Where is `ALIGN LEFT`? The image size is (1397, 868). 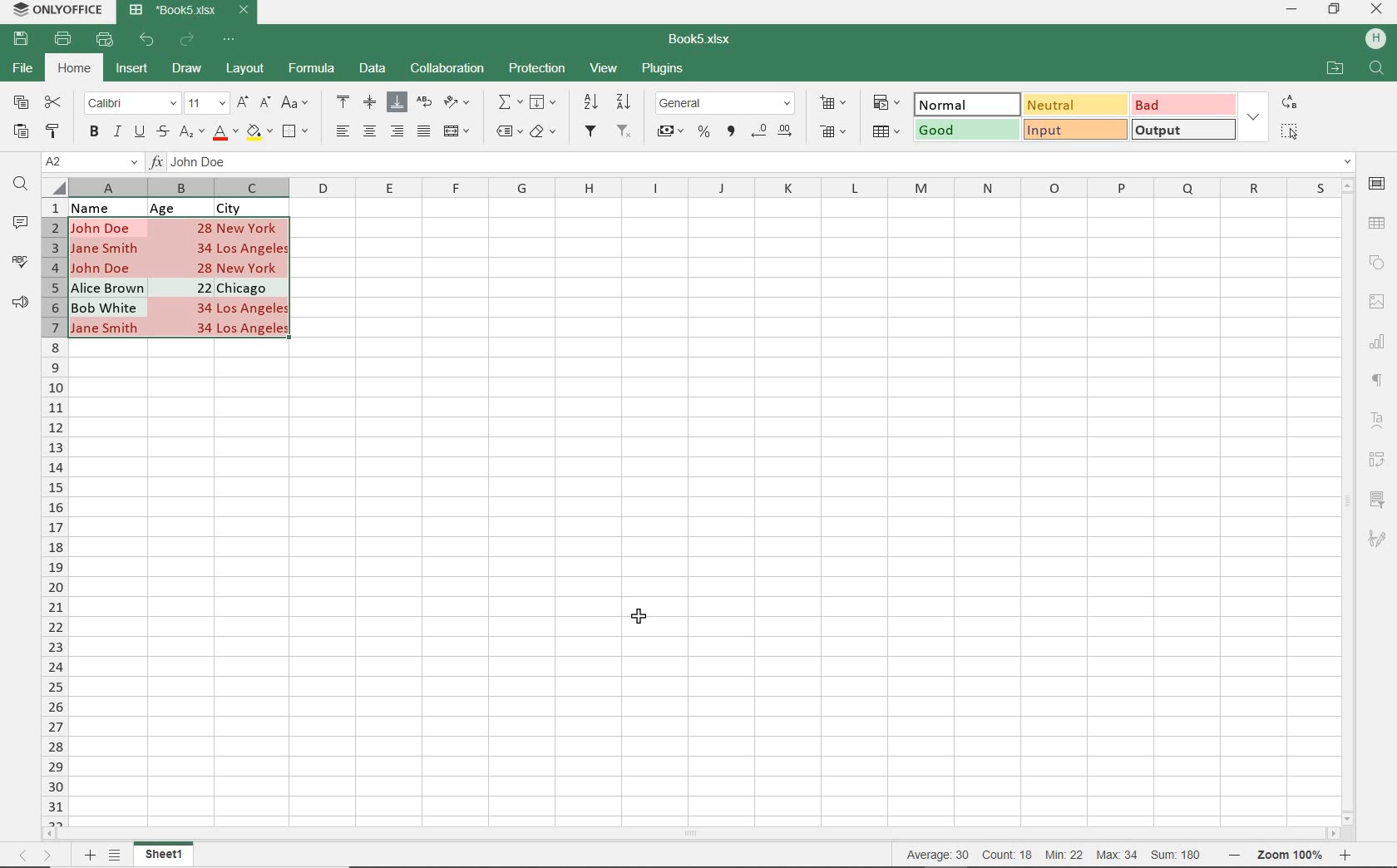 ALIGN LEFT is located at coordinates (341, 132).